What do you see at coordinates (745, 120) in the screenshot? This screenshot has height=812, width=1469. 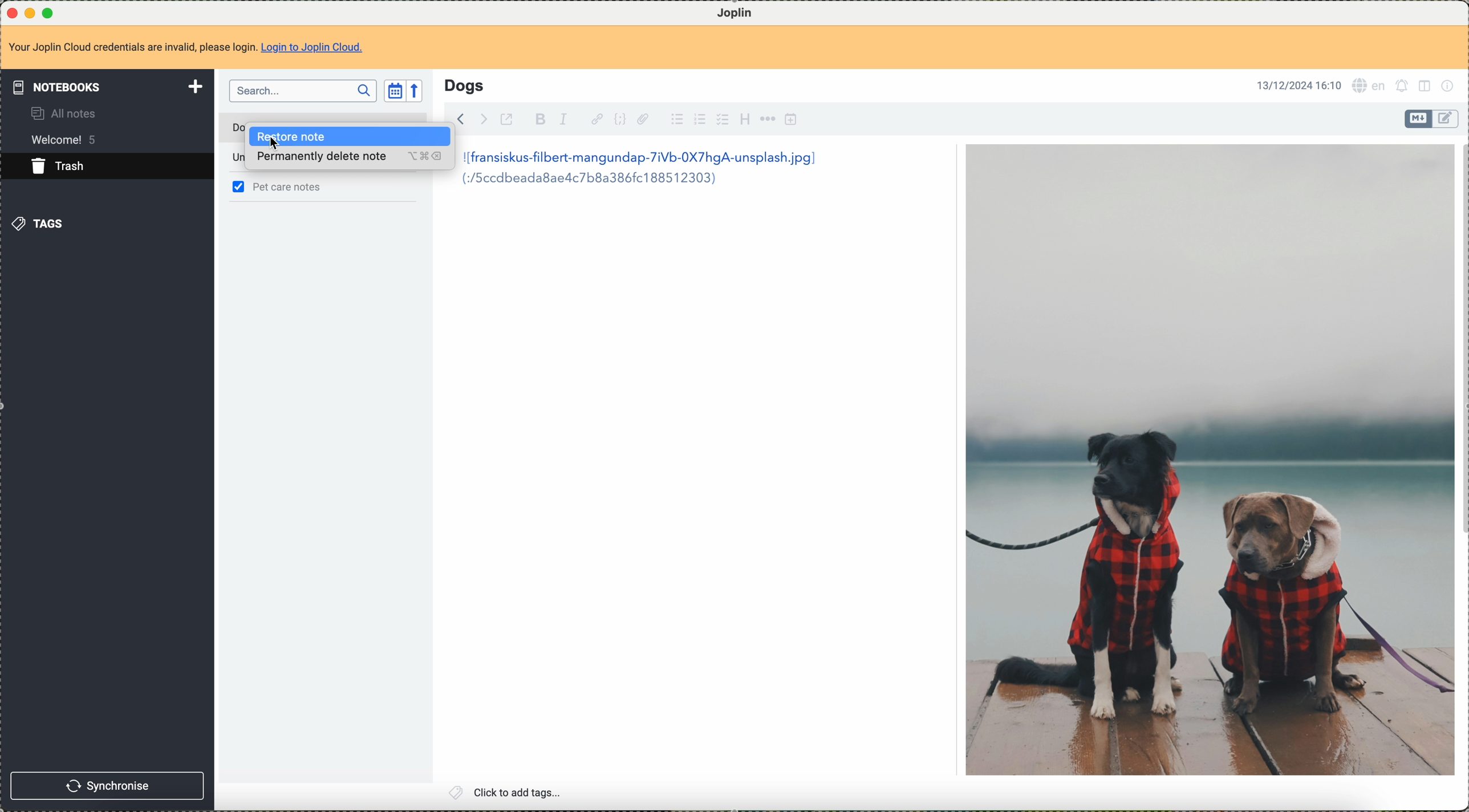 I see `heading` at bounding box center [745, 120].